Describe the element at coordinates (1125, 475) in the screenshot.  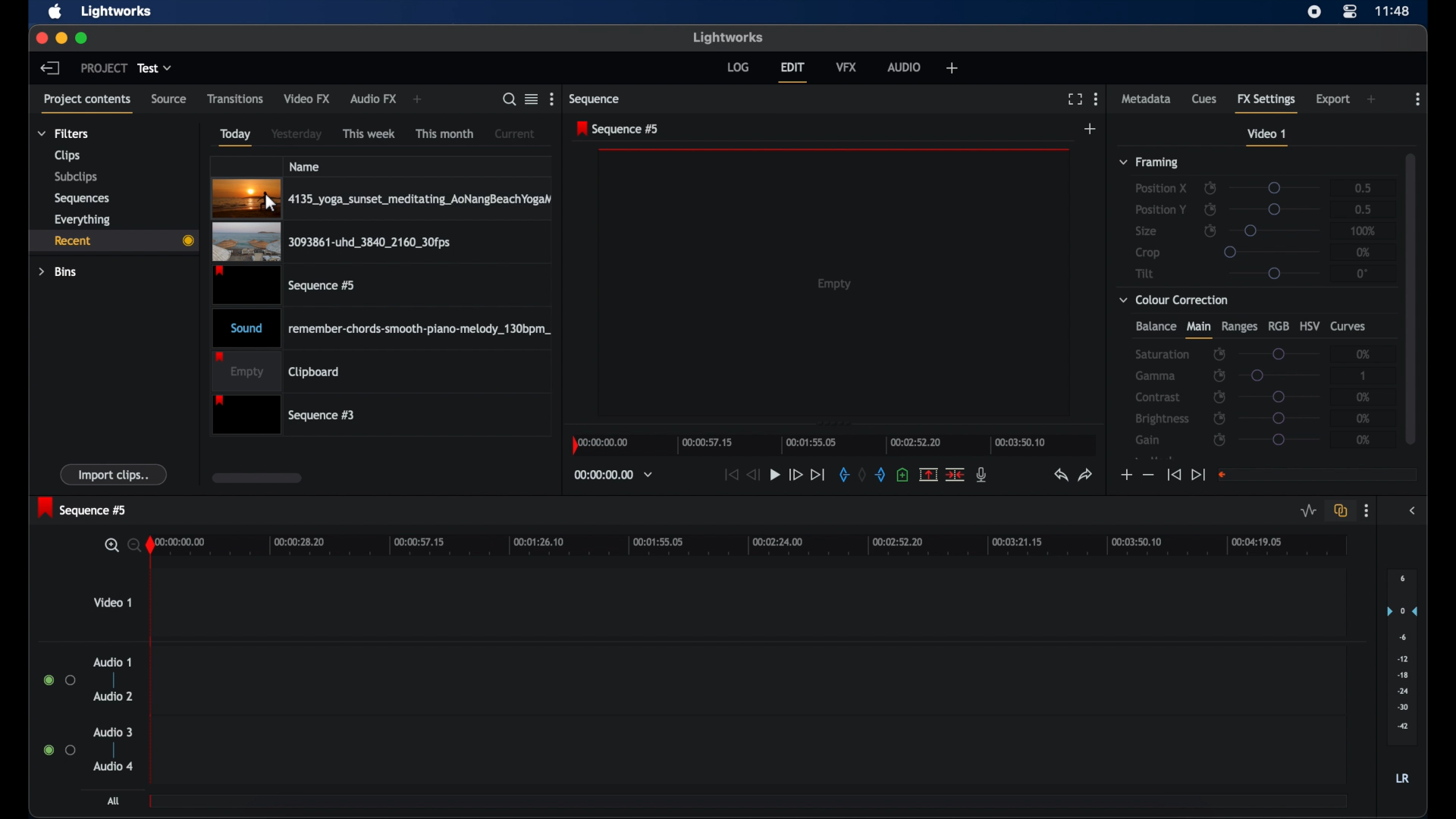
I see `increment` at that location.